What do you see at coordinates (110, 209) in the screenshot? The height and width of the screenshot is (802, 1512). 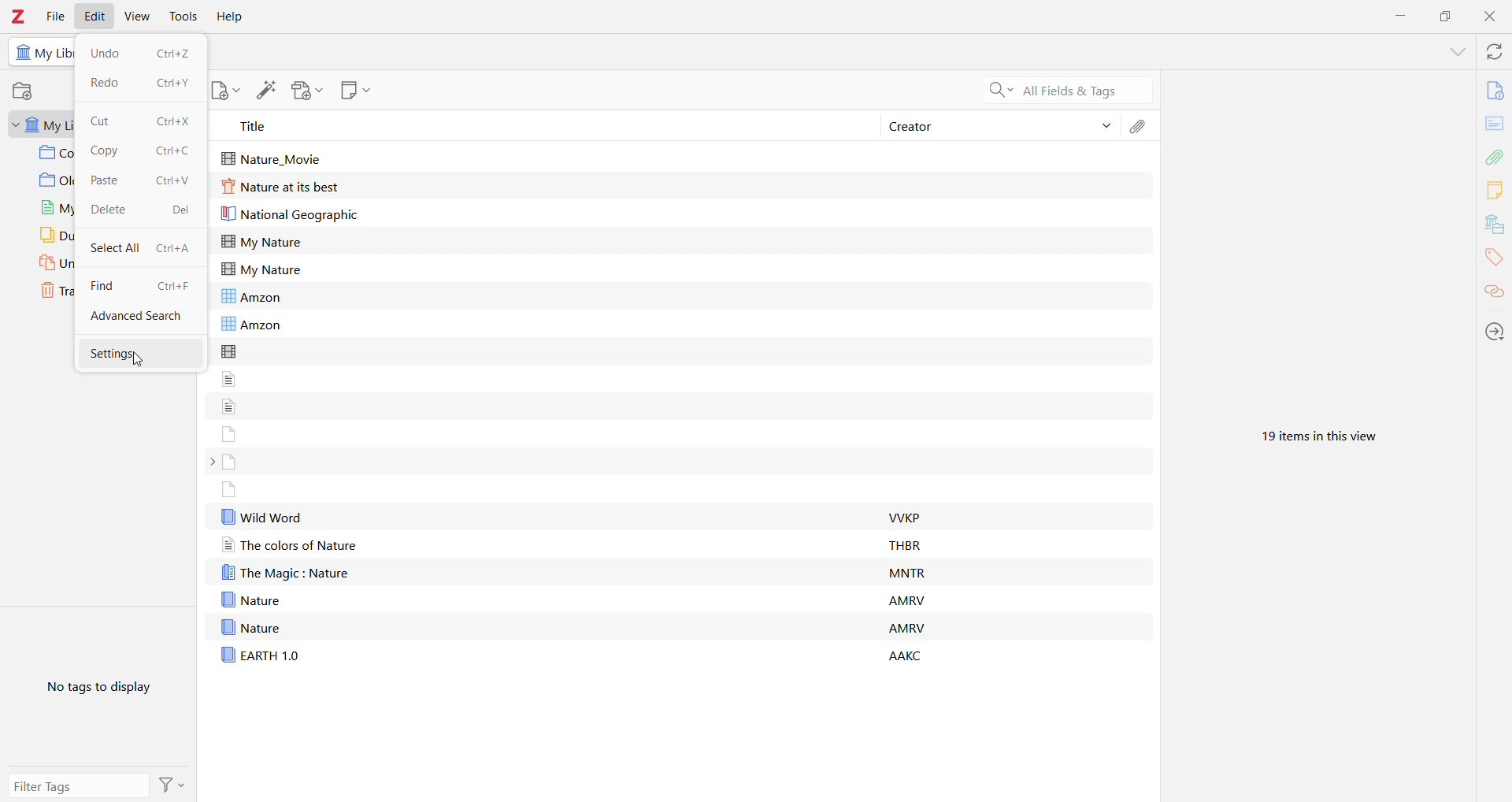 I see `Delete` at bounding box center [110, 209].